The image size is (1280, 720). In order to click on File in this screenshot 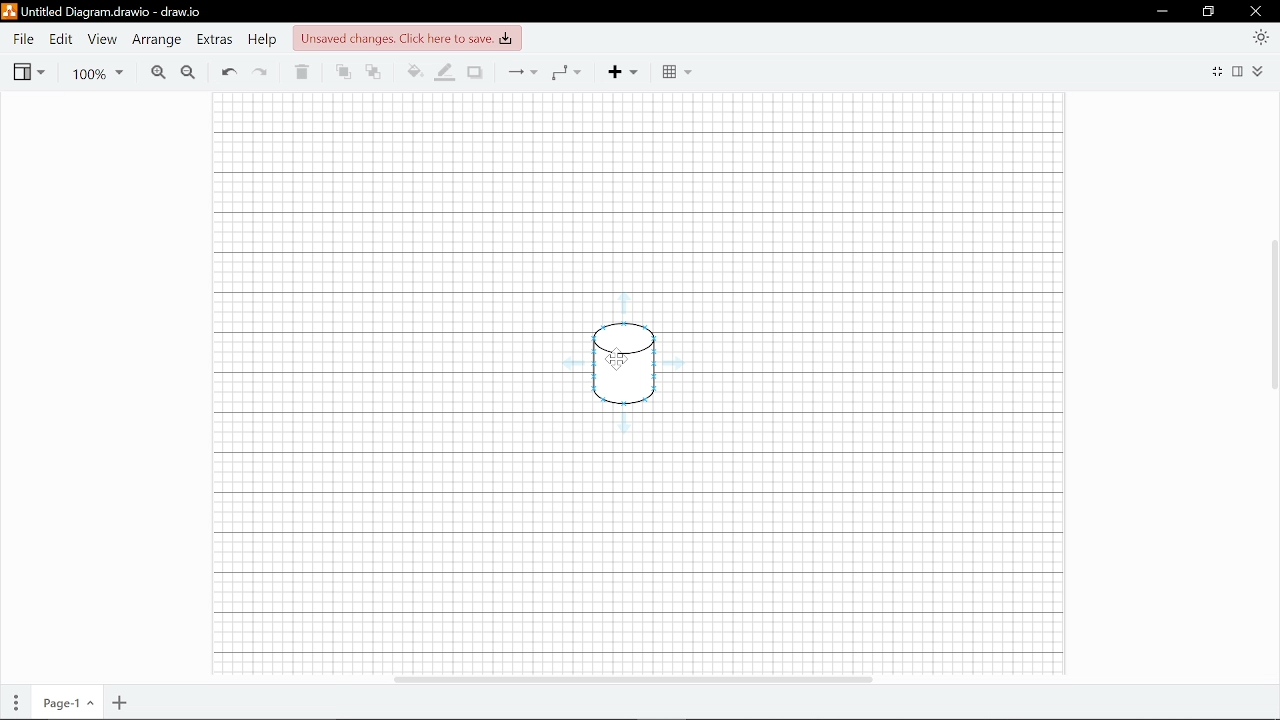, I will do `click(23, 39)`.